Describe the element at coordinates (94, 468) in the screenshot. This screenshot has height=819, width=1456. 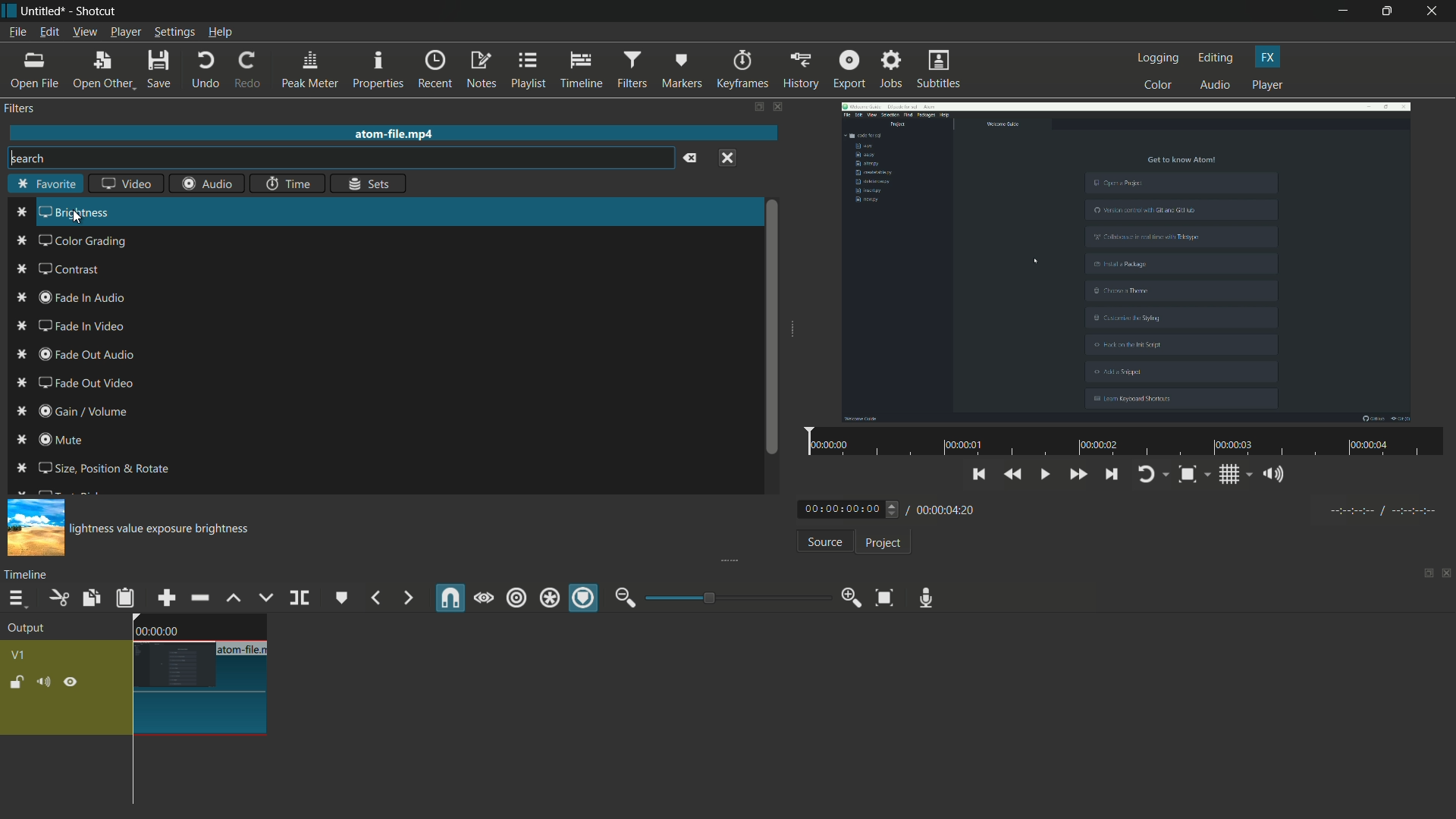
I see `size, position and rotate` at that location.